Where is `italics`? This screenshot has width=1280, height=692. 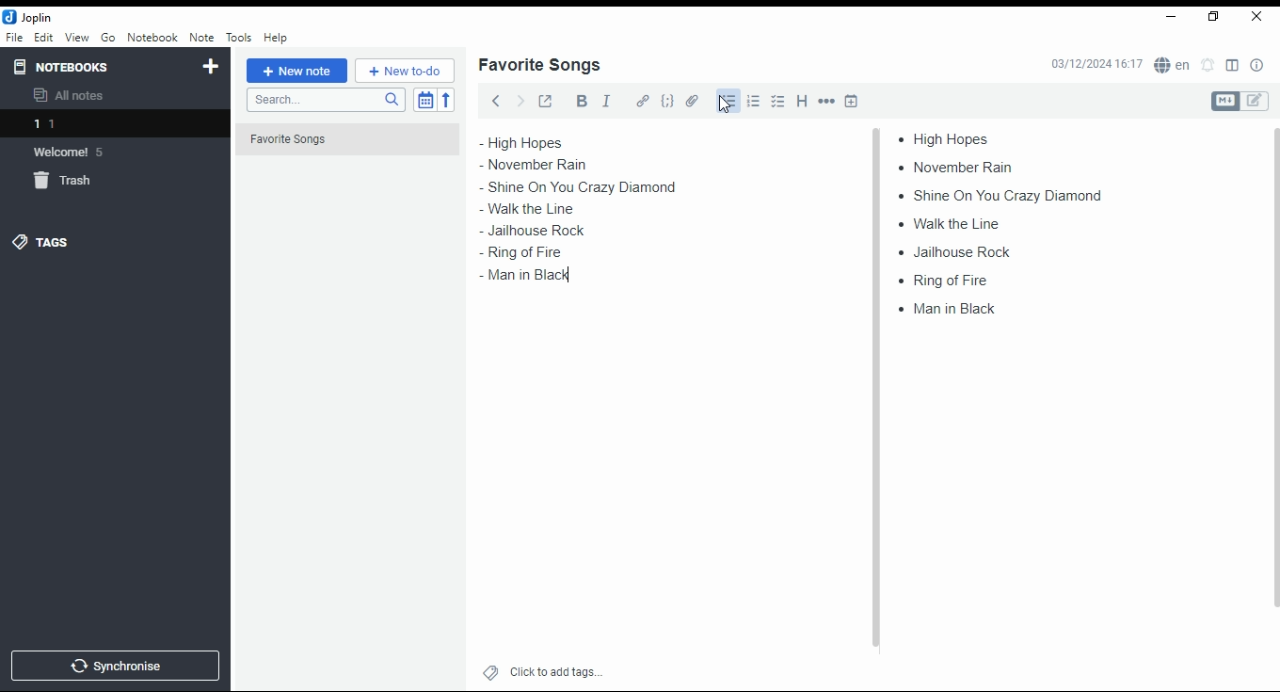 italics is located at coordinates (606, 100).